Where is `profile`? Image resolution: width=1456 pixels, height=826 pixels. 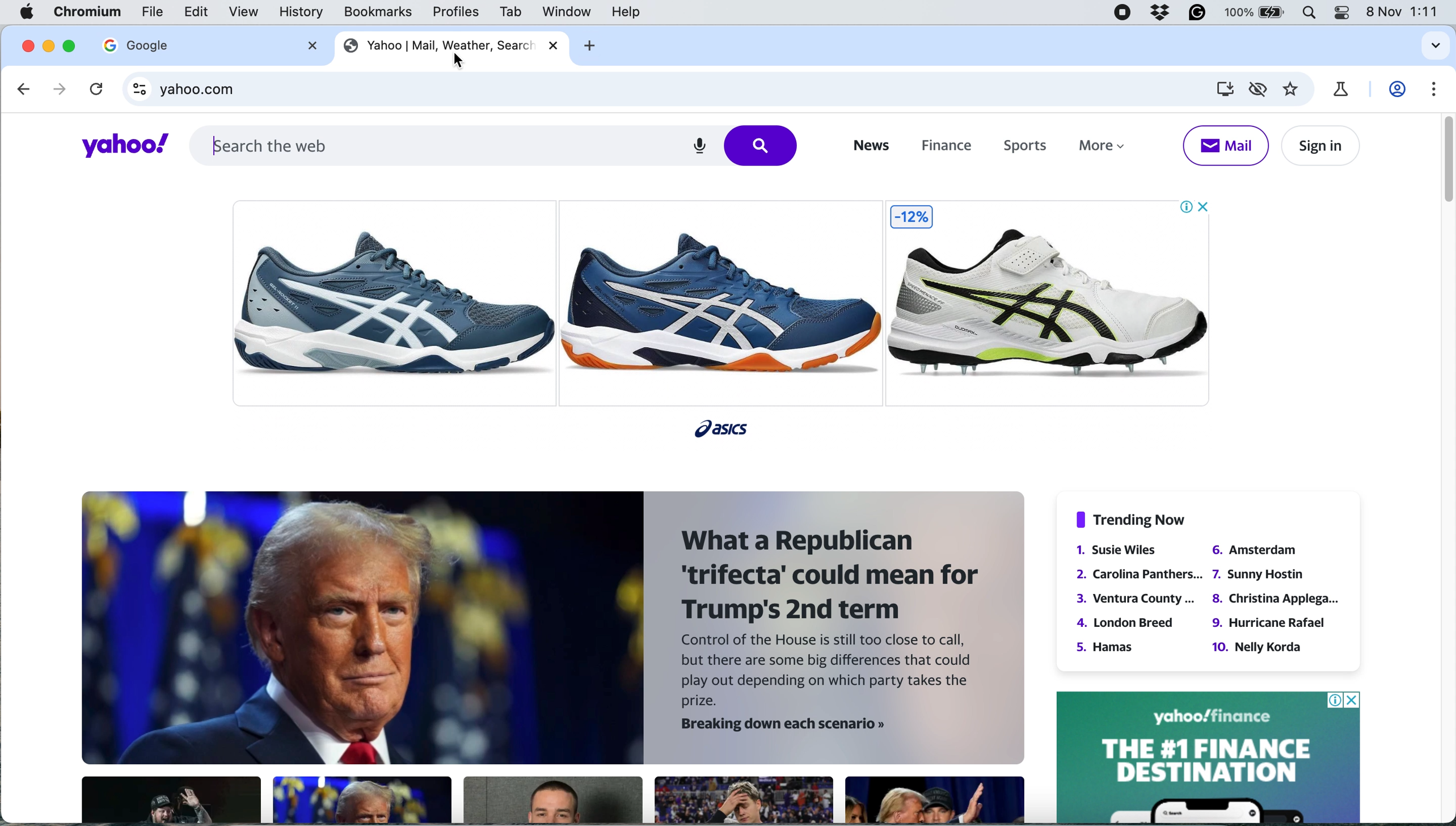 profile is located at coordinates (1399, 90).